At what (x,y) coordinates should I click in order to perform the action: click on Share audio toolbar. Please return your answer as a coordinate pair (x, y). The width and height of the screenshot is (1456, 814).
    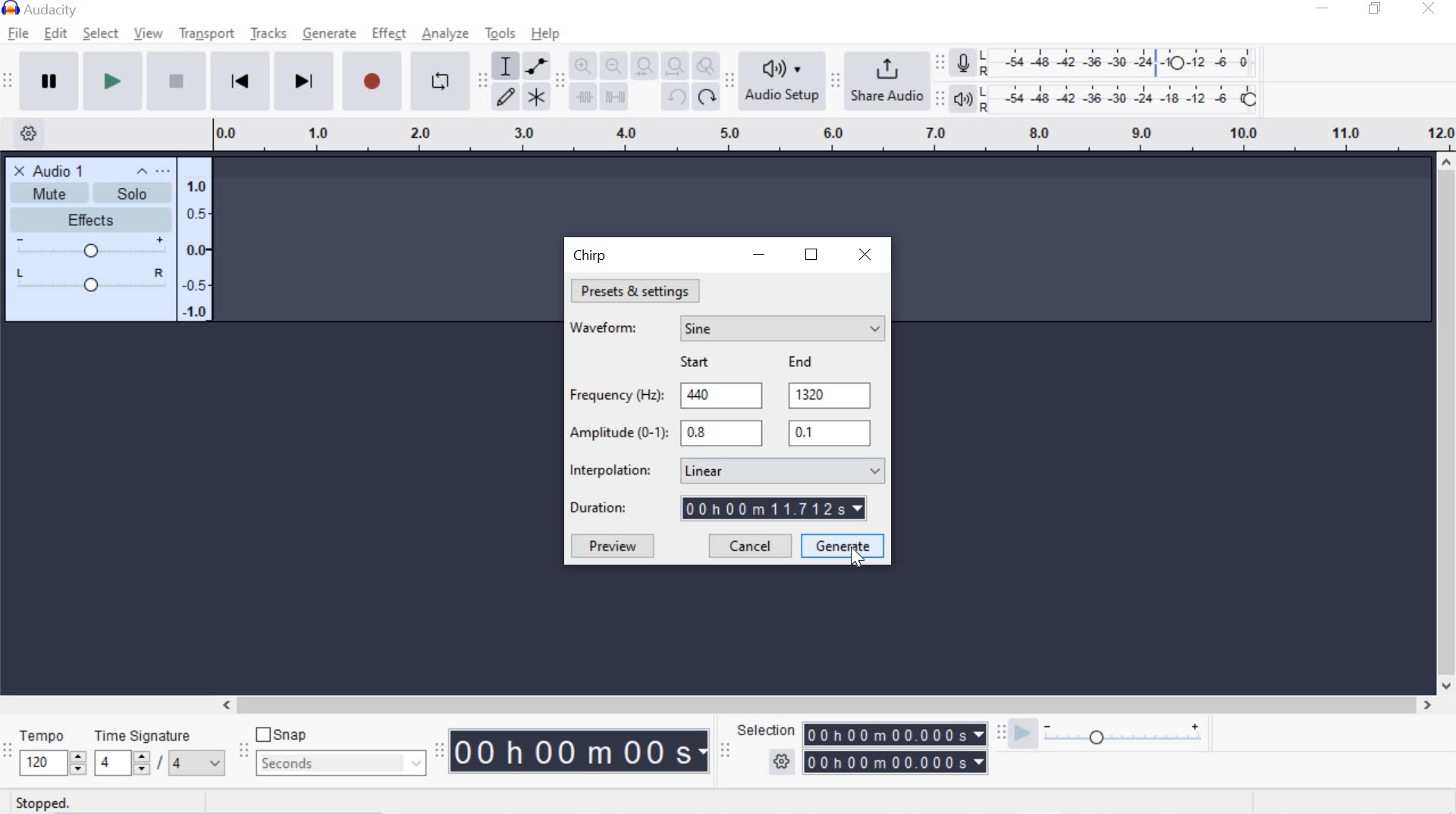
    Looking at the image, I should click on (833, 80).